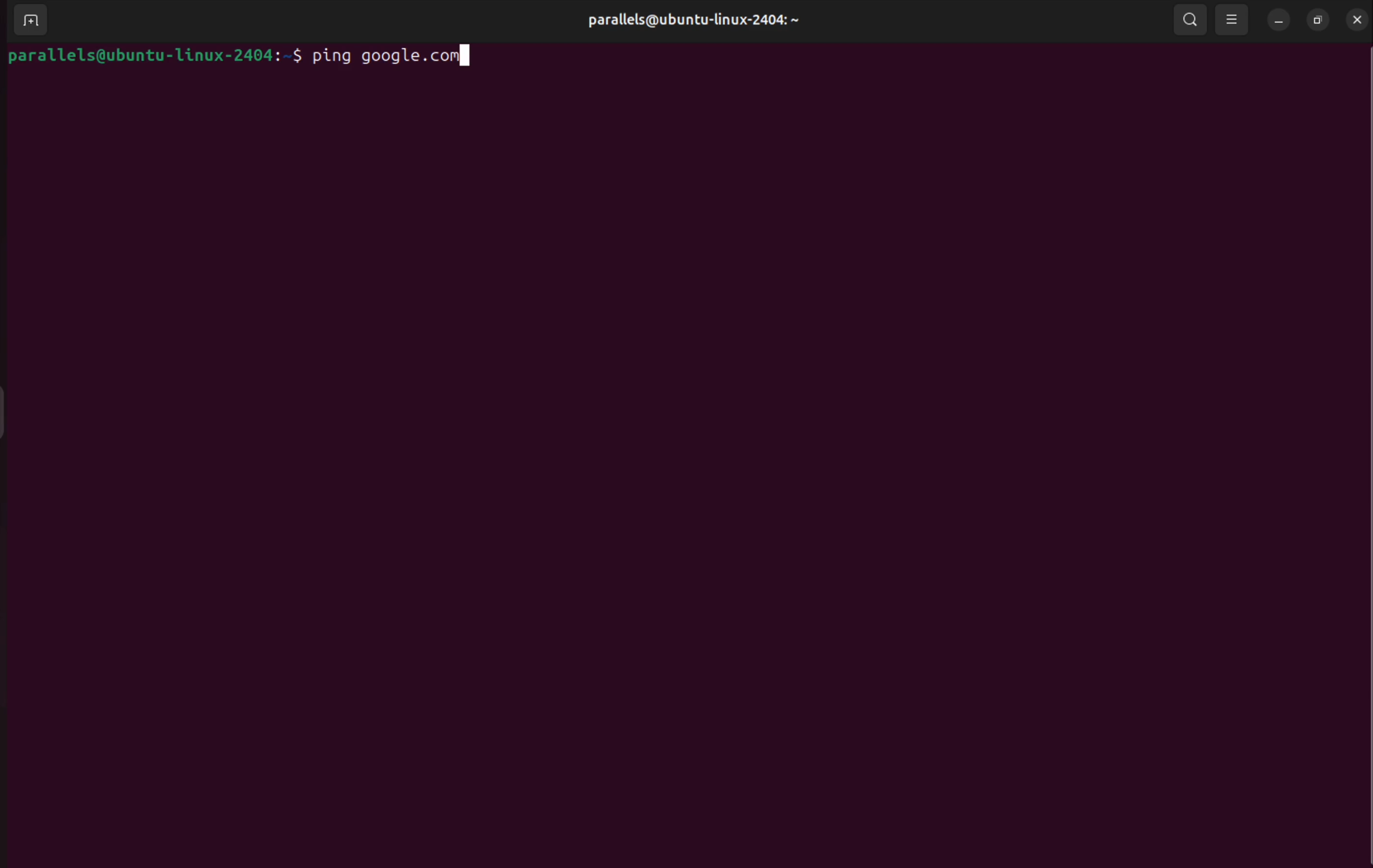 Image resolution: width=1373 pixels, height=868 pixels. What do you see at coordinates (690, 19) in the screenshot?
I see `user profile` at bounding box center [690, 19].